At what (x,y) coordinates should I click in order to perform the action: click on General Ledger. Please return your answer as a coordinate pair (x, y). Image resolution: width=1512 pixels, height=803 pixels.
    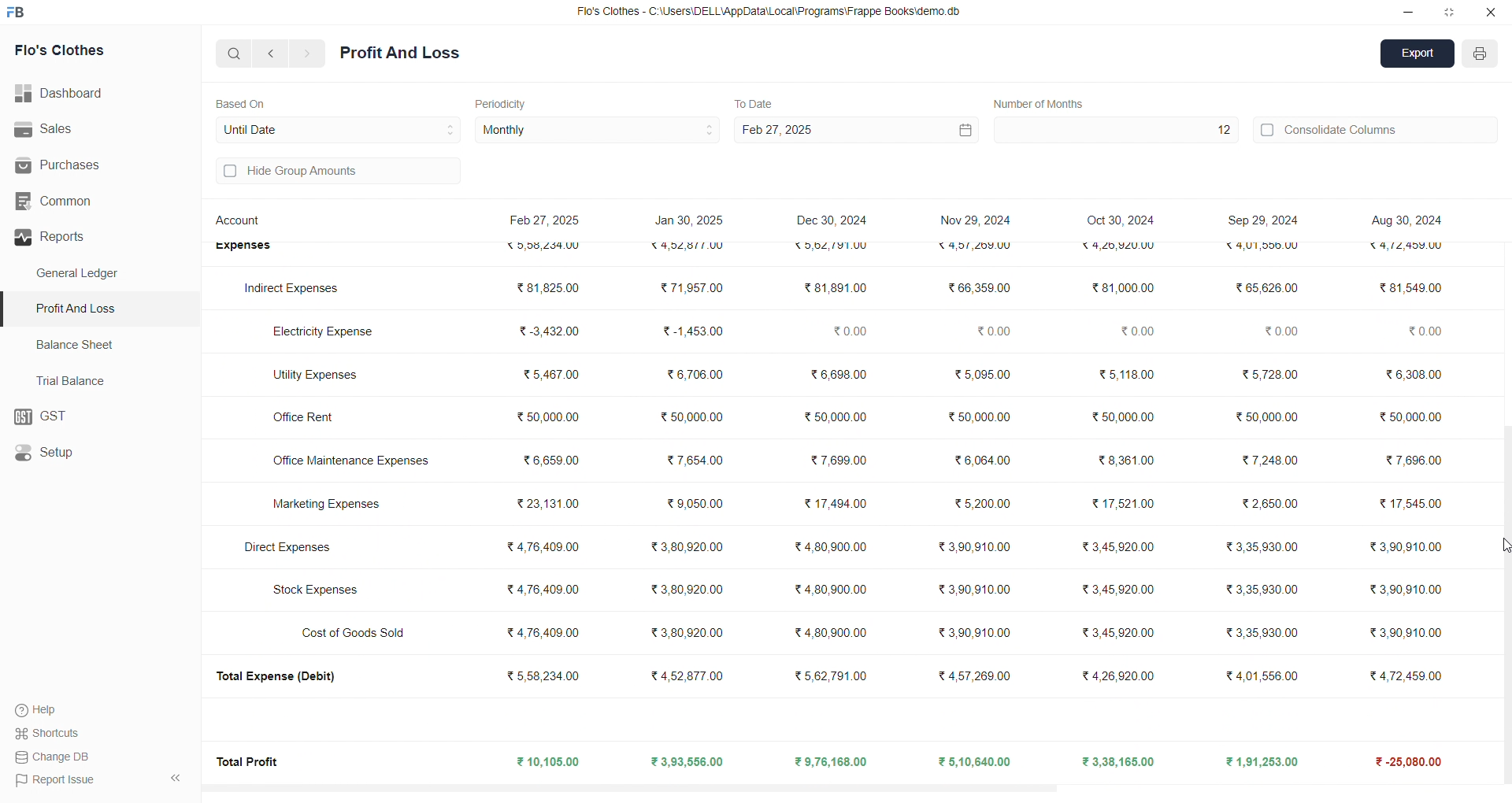
    Looking at the image, I should click on (86, 274).